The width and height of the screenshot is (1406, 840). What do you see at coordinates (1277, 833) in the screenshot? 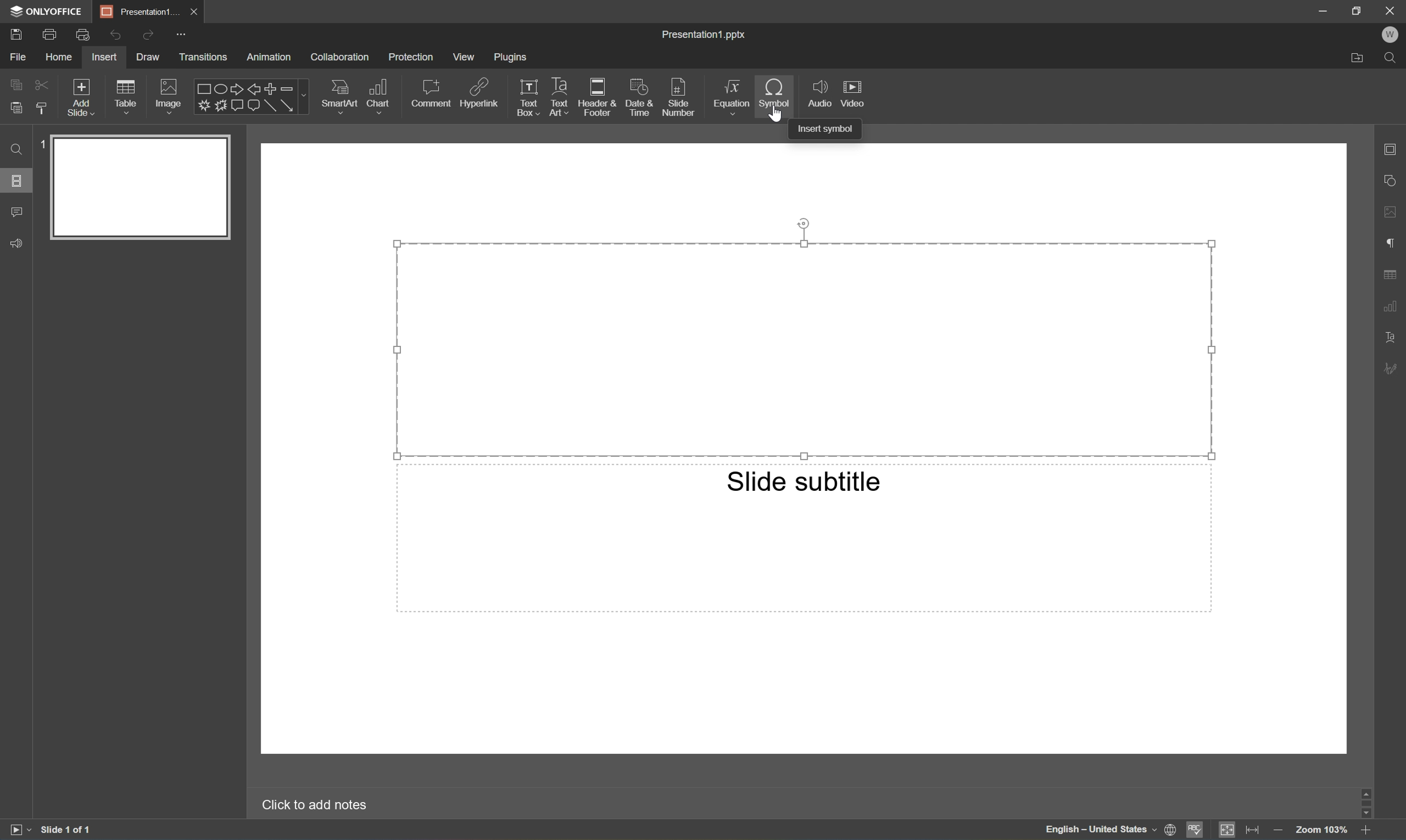
I see `Zoom out` at bounding box center [1277, 833].